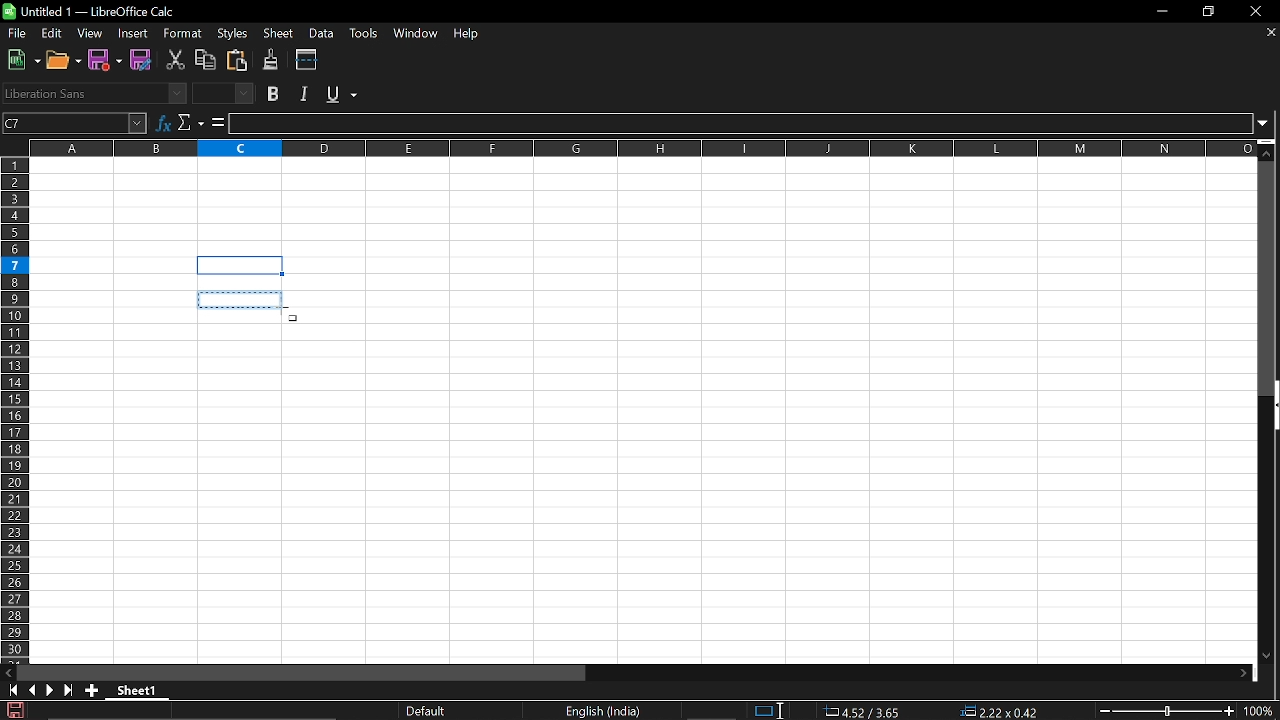  I want to click on Select function, so click(191, 122).